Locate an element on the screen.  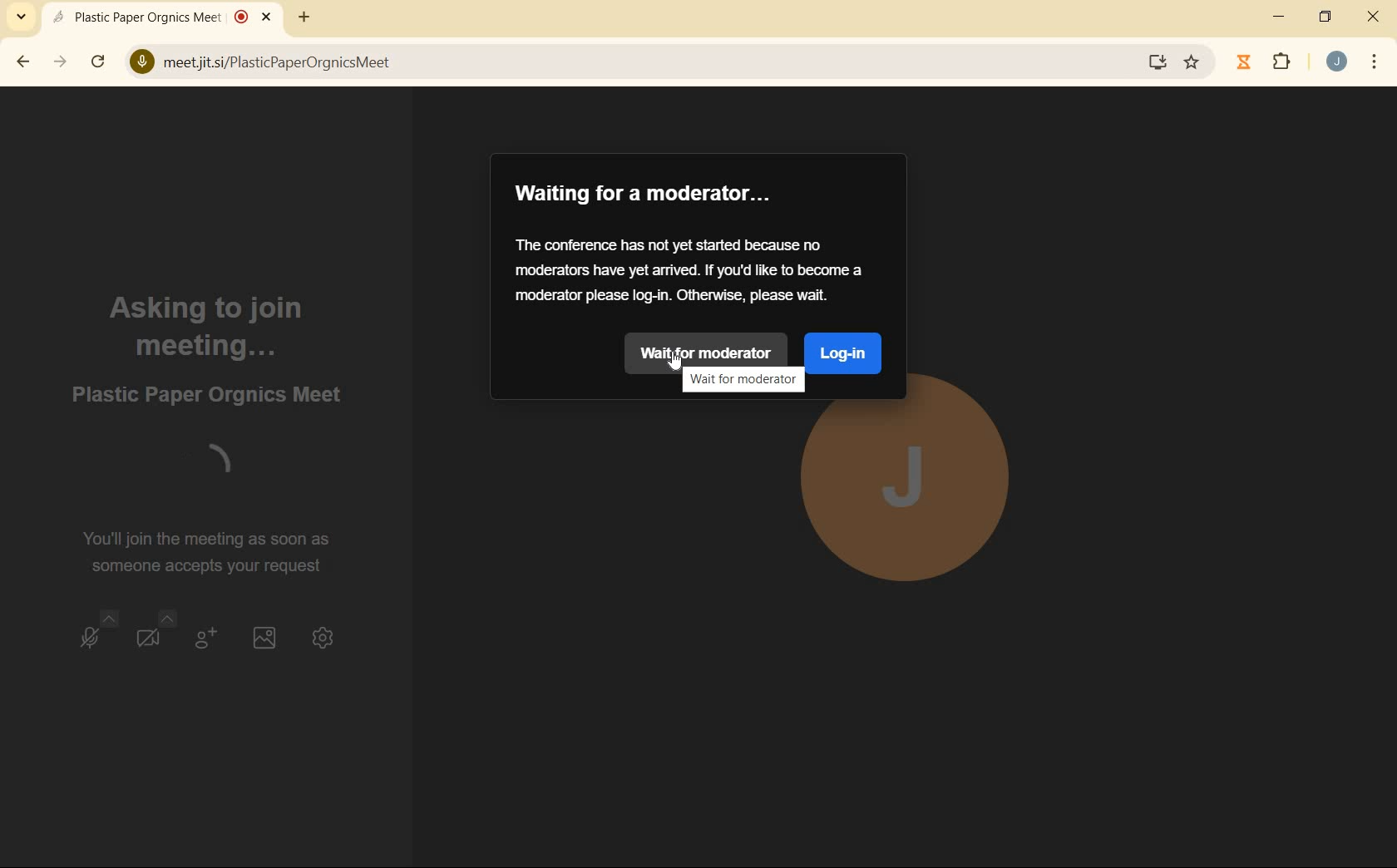
Asking to join
meeting... is located at coordinates (209, 325).